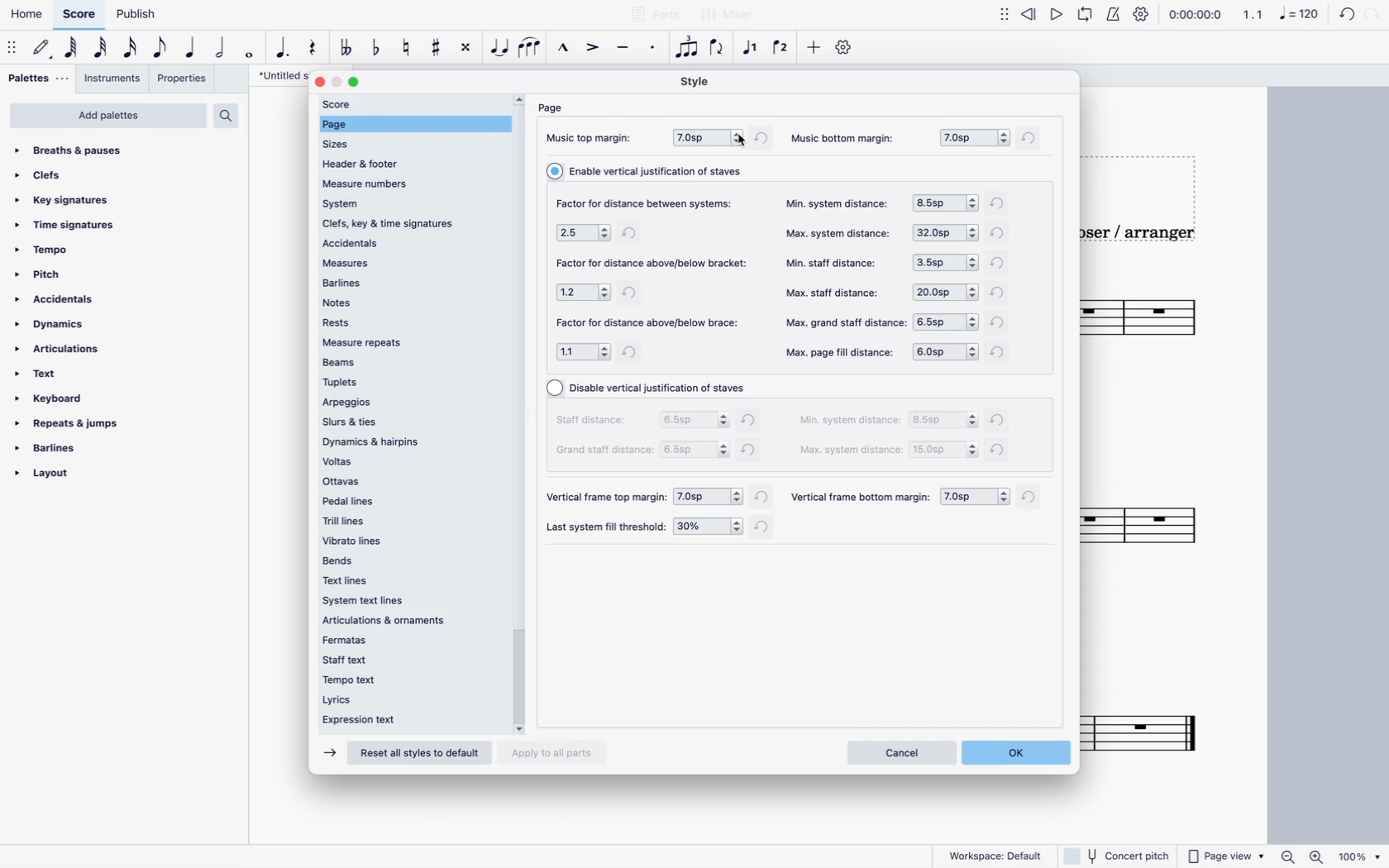 This screenshot has height=868, width=1389. What do you see at coordinates (36, 79) in the screenshot?
I see `palettes` at bounding box center [36, 79].